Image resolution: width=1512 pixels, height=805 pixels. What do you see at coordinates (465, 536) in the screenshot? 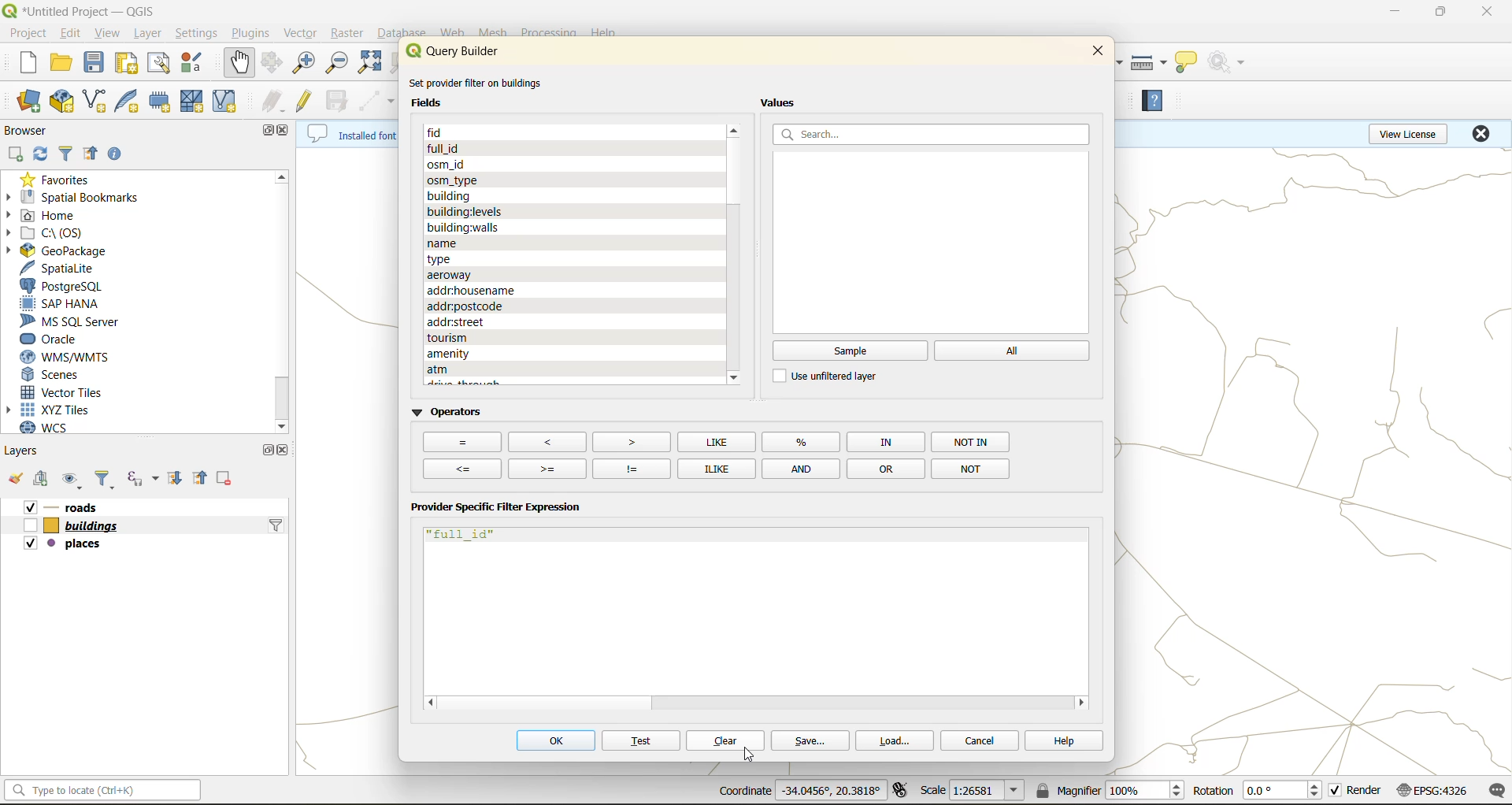
I see `full_id` at bounding box center [465, 536].